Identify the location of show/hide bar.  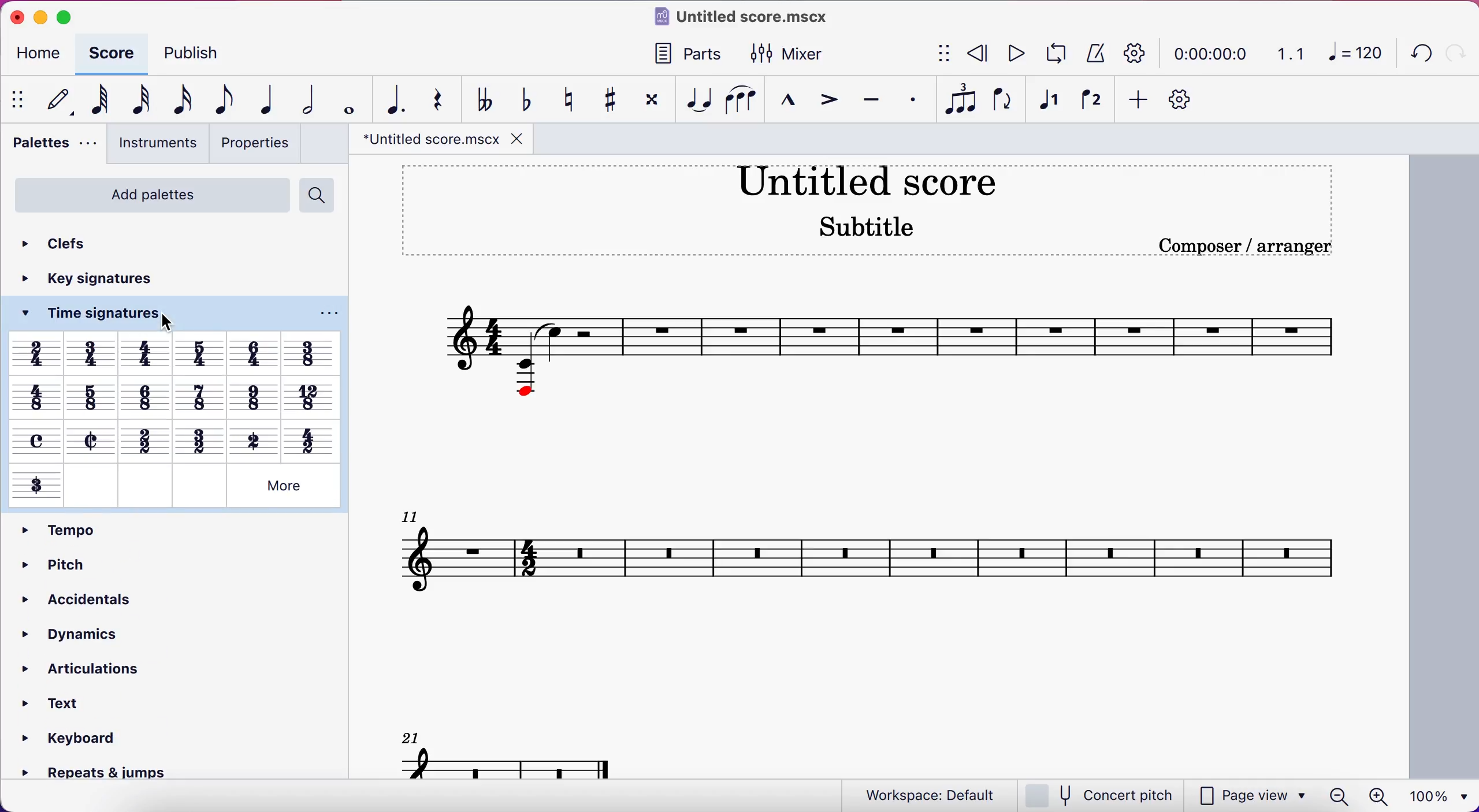
(20, 100).